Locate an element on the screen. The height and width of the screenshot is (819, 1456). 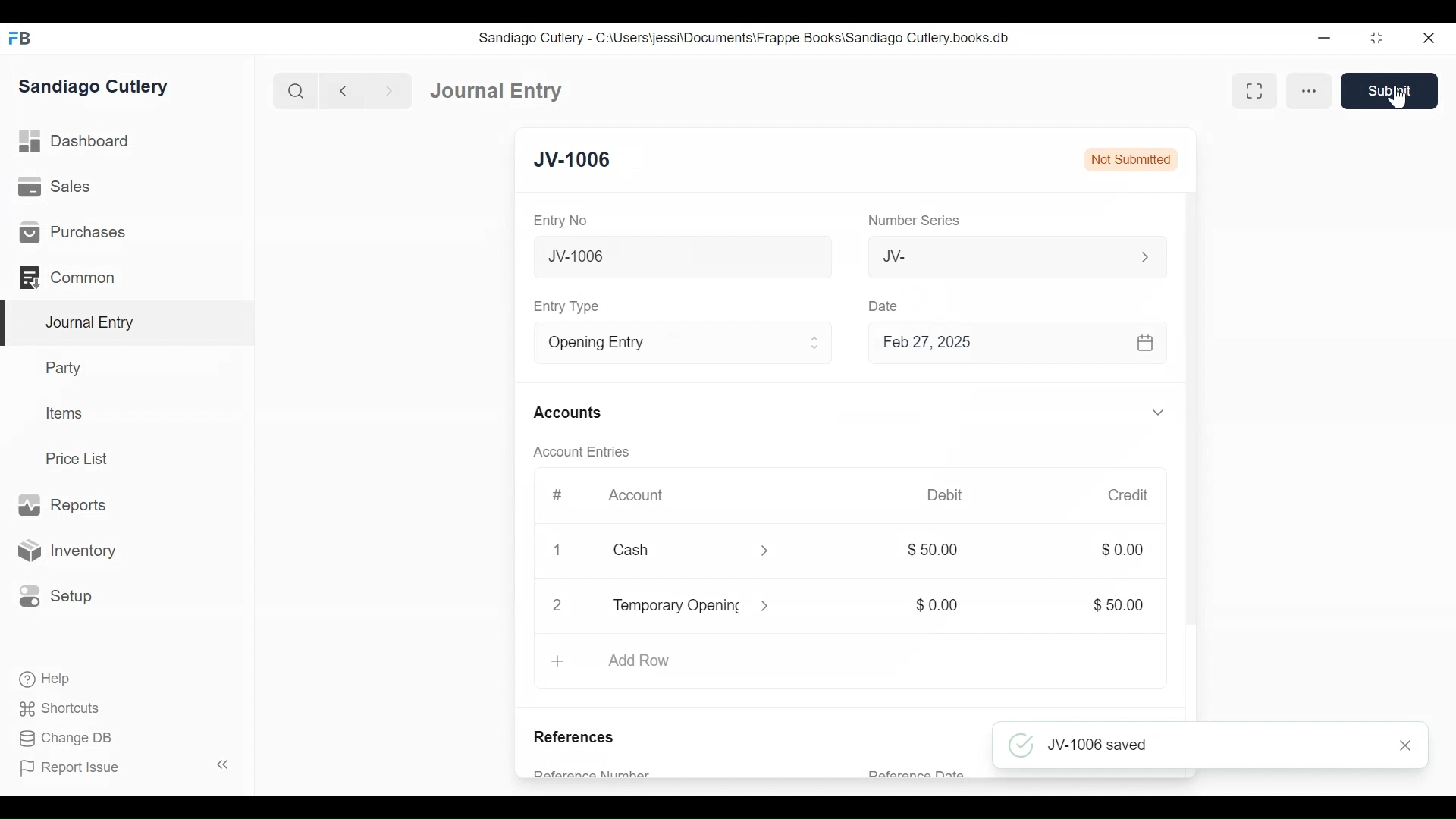
Sandiago Cutlery is located at coordinates (96, 88).